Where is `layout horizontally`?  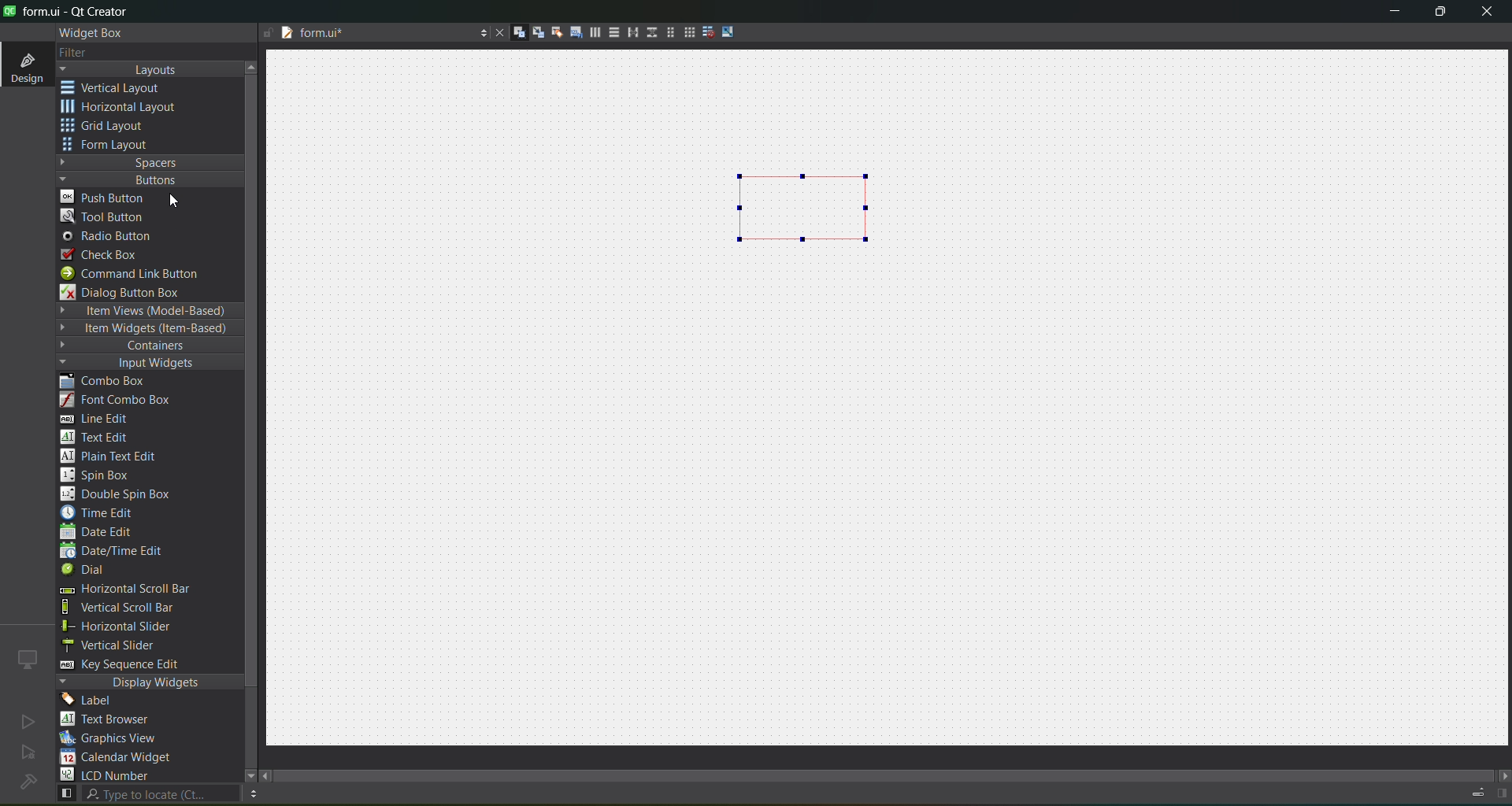
layout horizontally is located at coordinates (590, 35).